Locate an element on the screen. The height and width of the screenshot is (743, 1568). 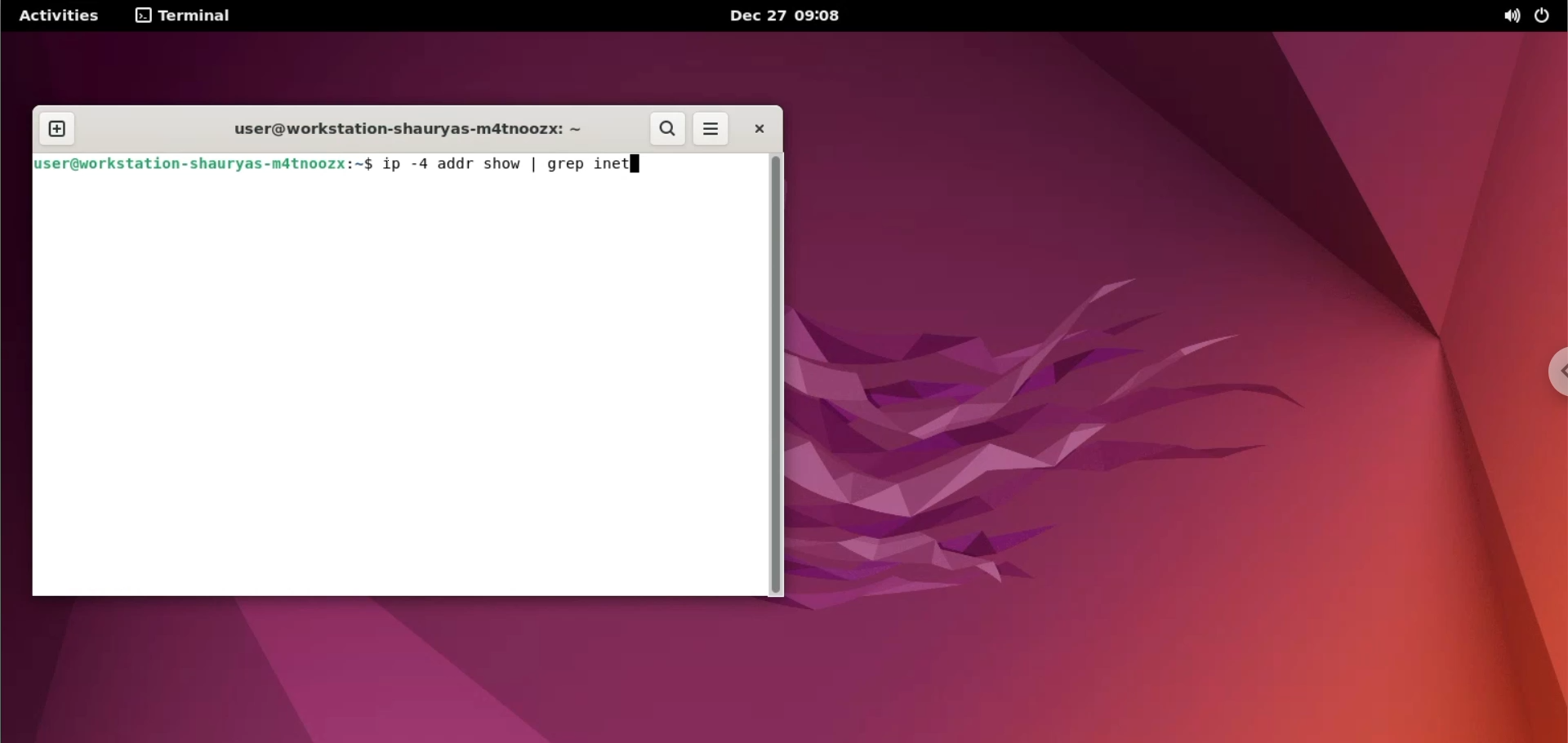
user@workstation-shauryas-m4tnoozx:~$ is located at coordinates (203, 162).